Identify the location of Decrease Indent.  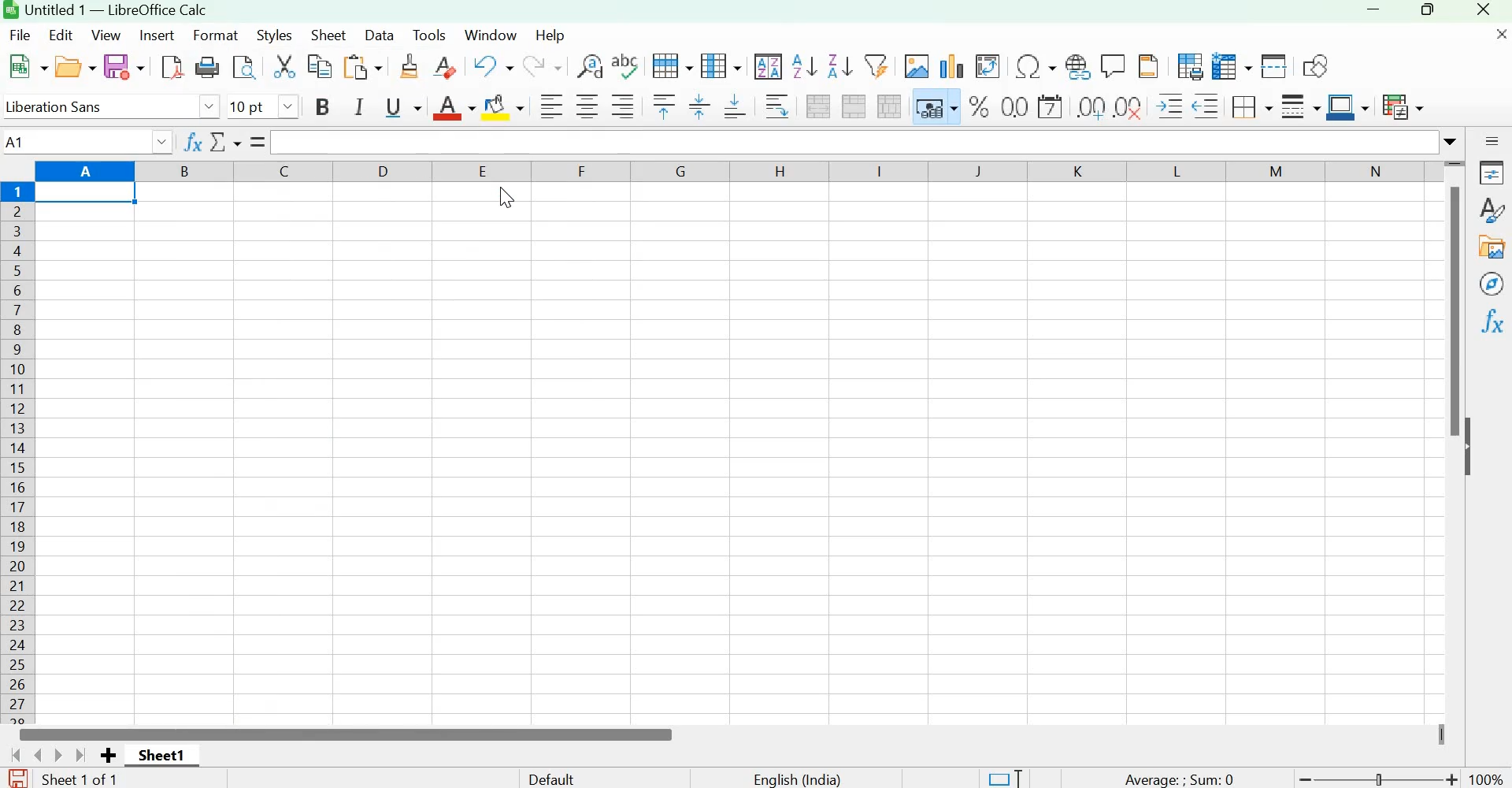
(1206, 105).